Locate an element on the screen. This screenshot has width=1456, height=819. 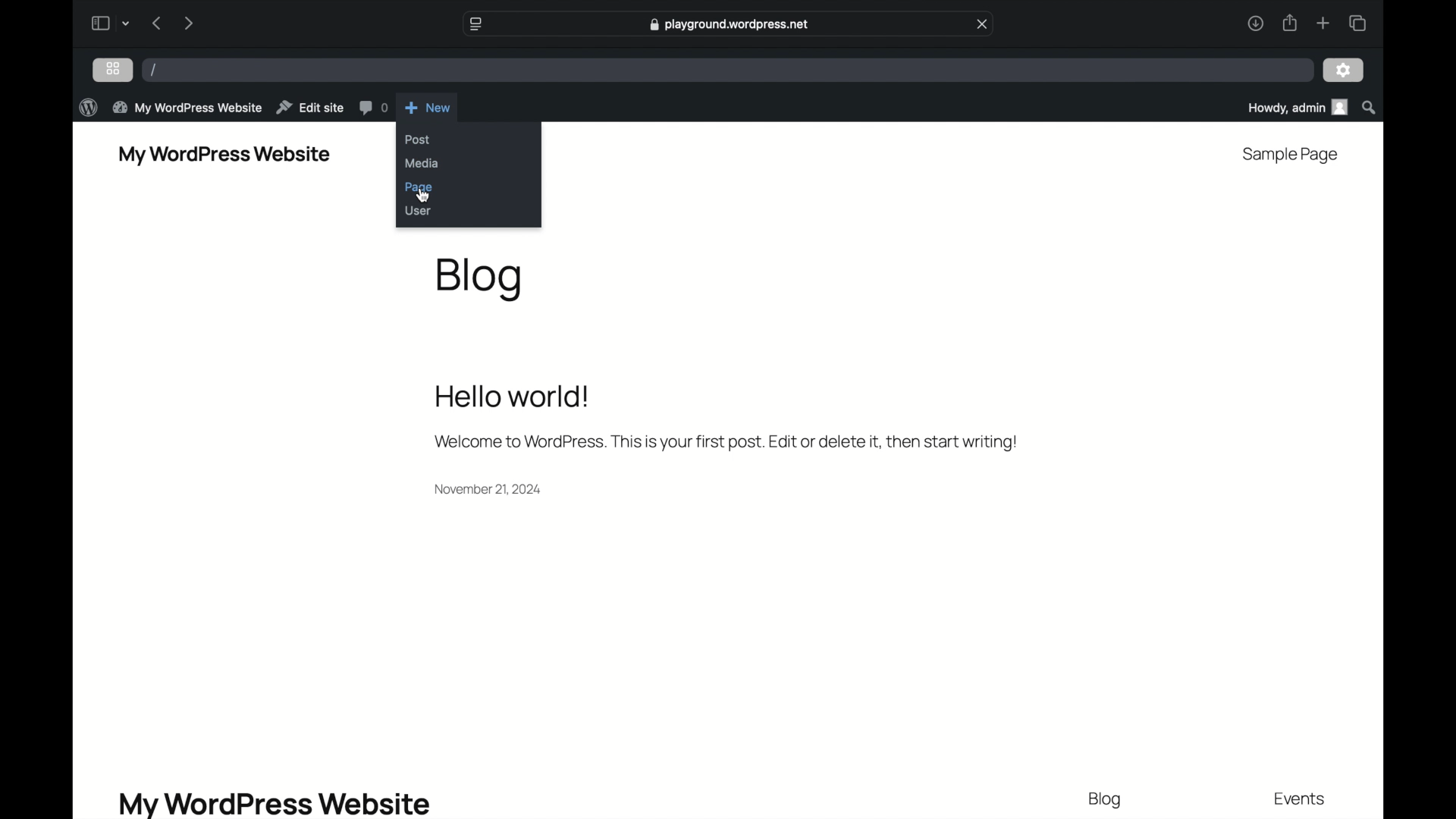
show tab overview is located at coordinates (1357, 23).